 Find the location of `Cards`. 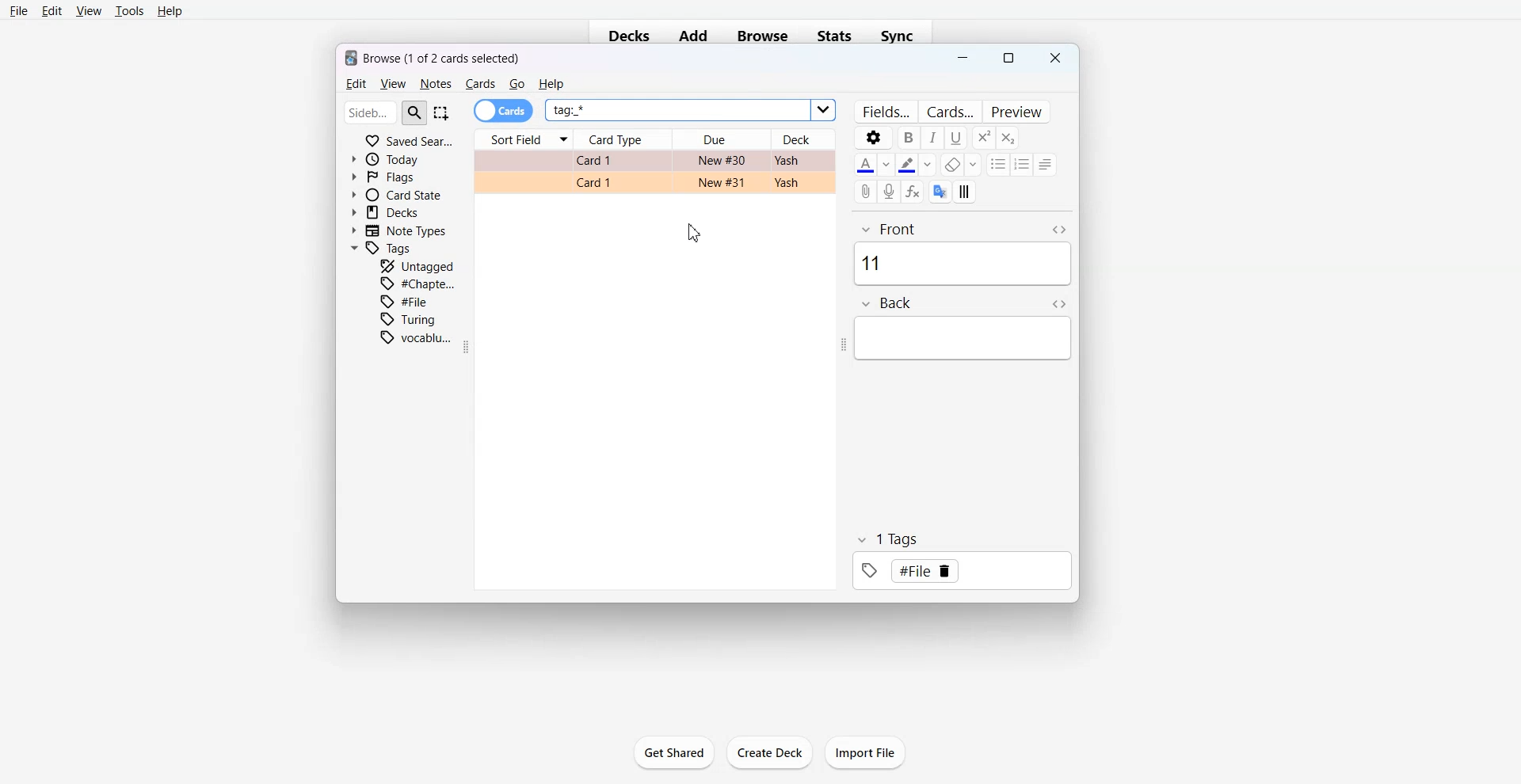

Cards is located at coordinates (504, 111).